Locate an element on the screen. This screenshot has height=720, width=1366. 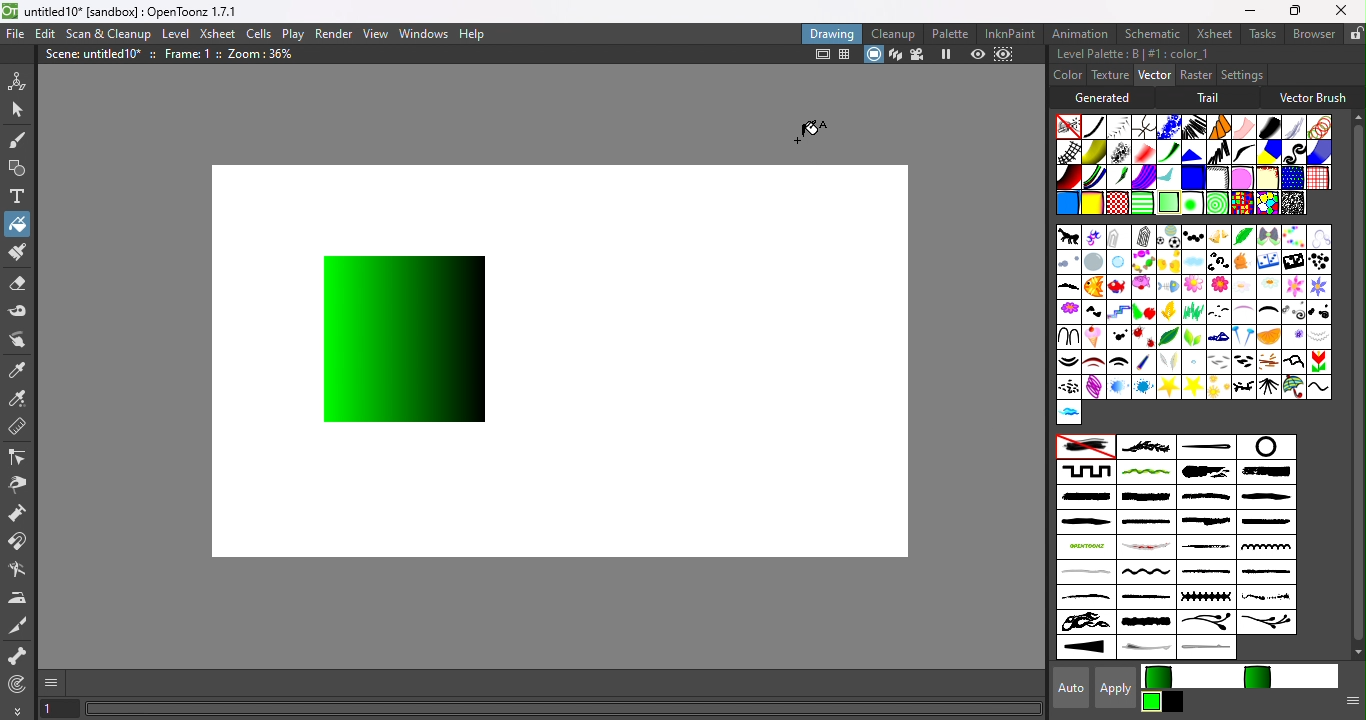
small_brush2 is located at coordinates (1265, 573).